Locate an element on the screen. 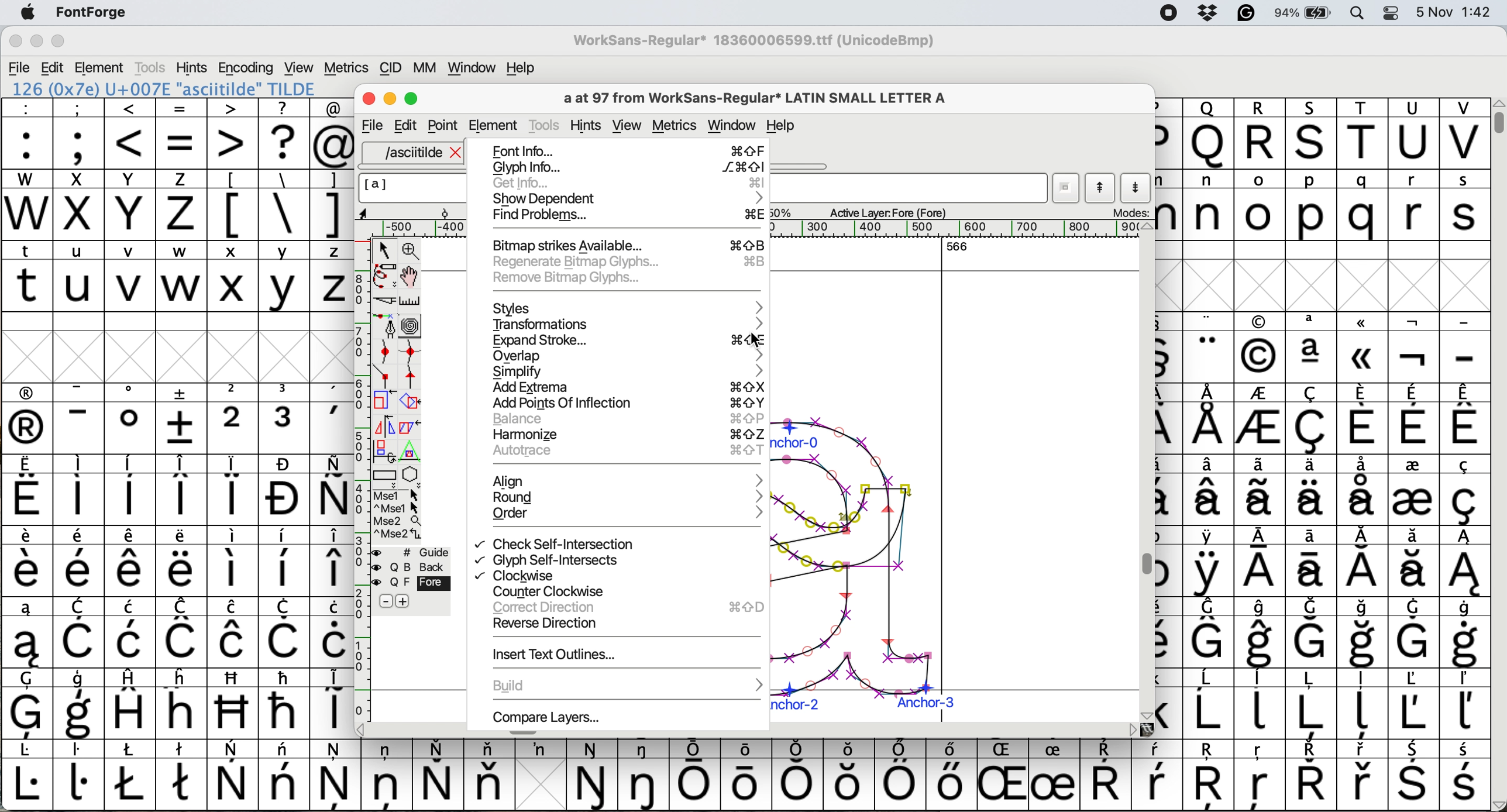 Image resolution: width=1507 pixels, height=812 pixels. remove bitmap glyphs is located at coordinates (571, 278).